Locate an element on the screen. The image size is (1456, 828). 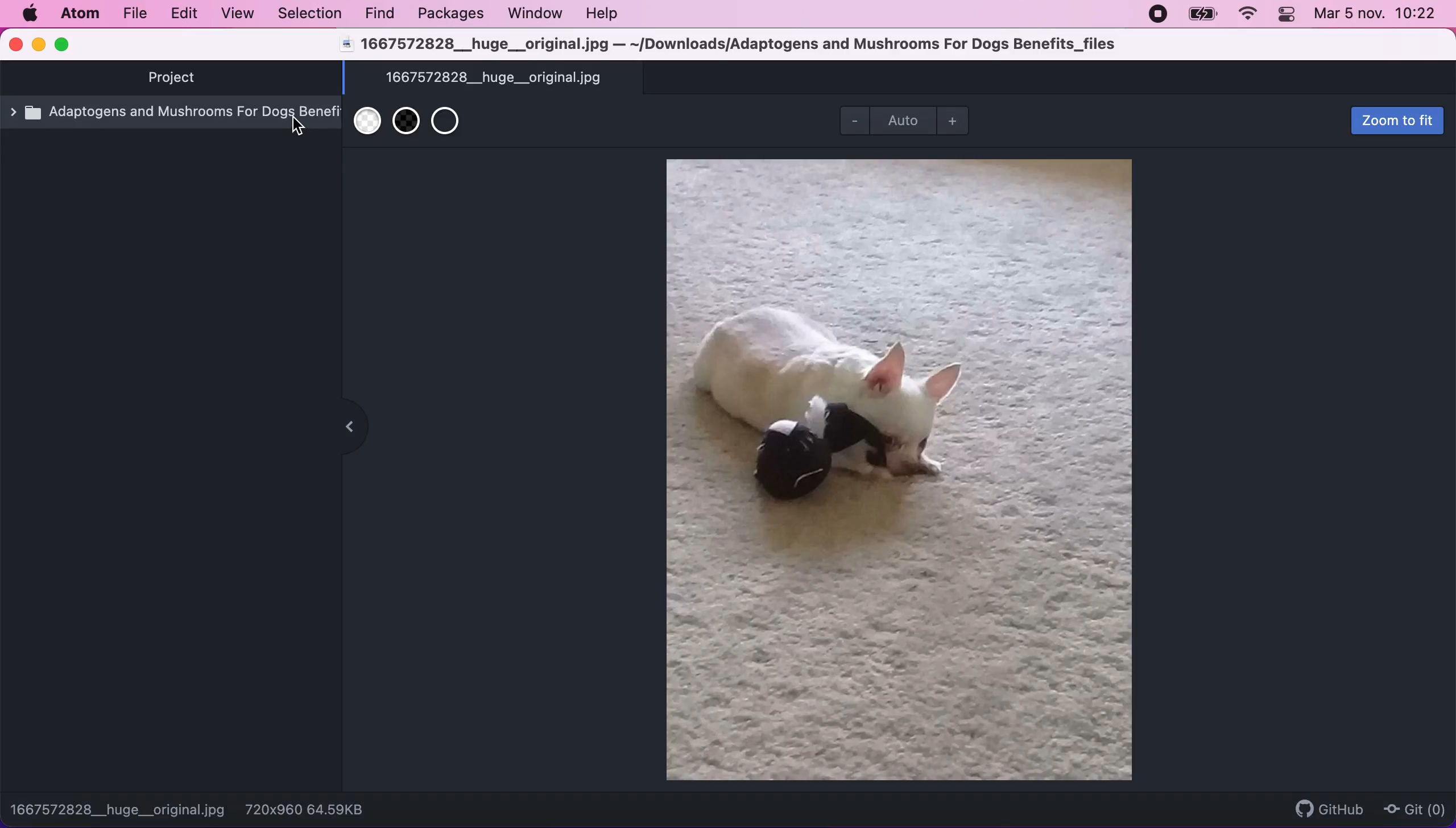
packages is located at coordinates (448, 14).